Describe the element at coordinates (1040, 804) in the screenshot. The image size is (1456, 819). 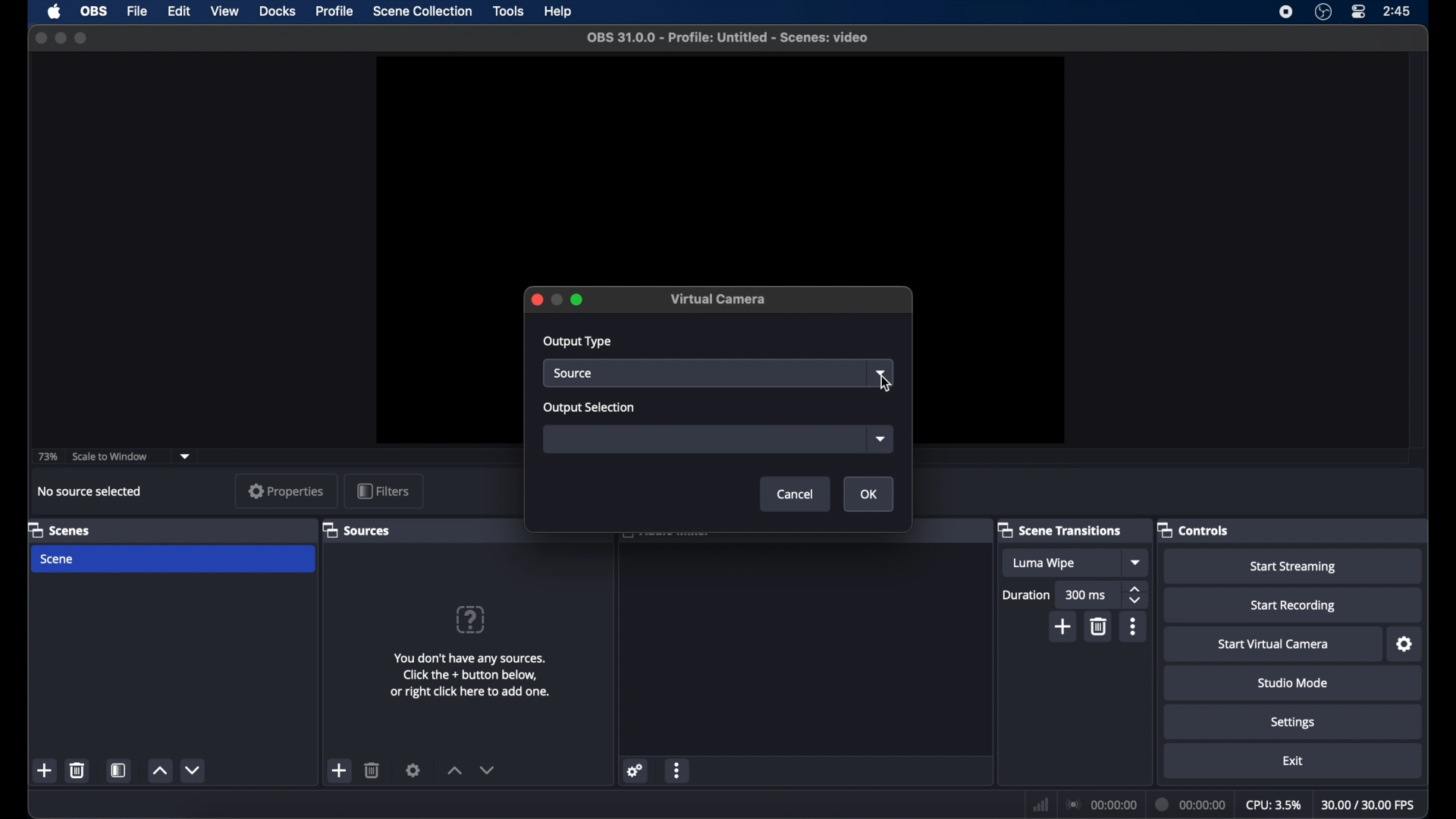
I see `netwrok` at that location.